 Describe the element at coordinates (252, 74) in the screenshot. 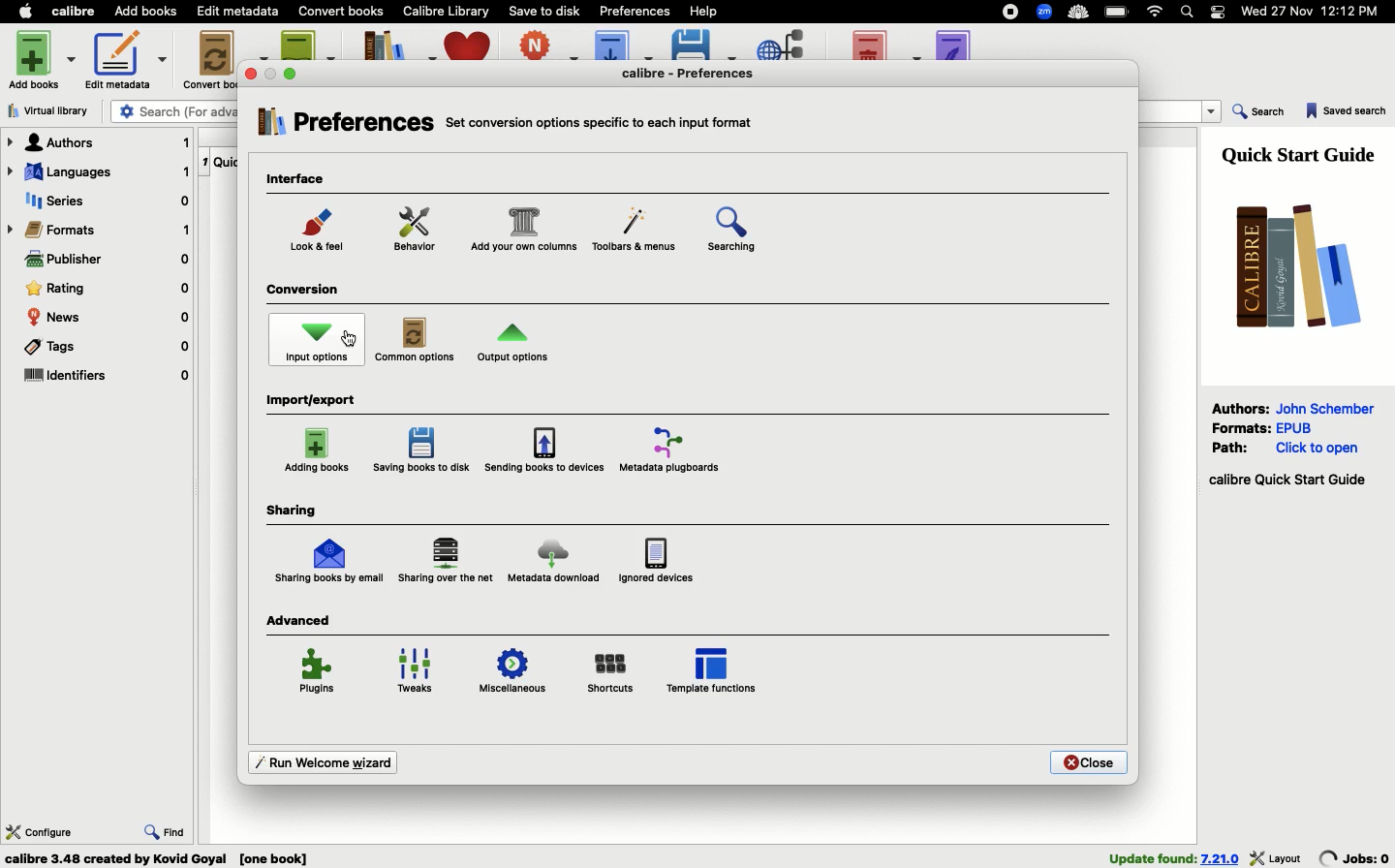

I see `close` at that location.